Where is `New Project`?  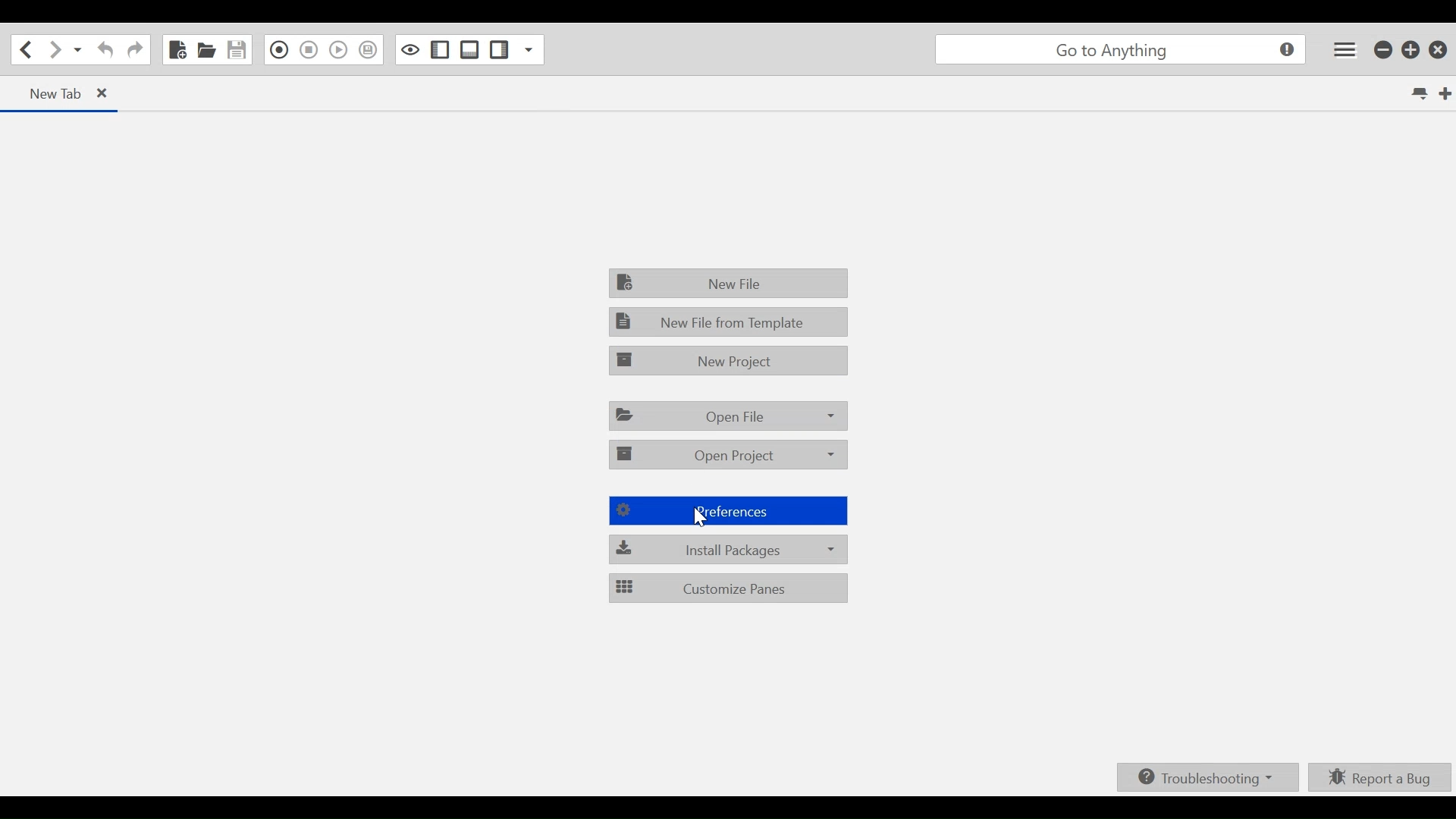 New Project is located at coordinates (729, 359).